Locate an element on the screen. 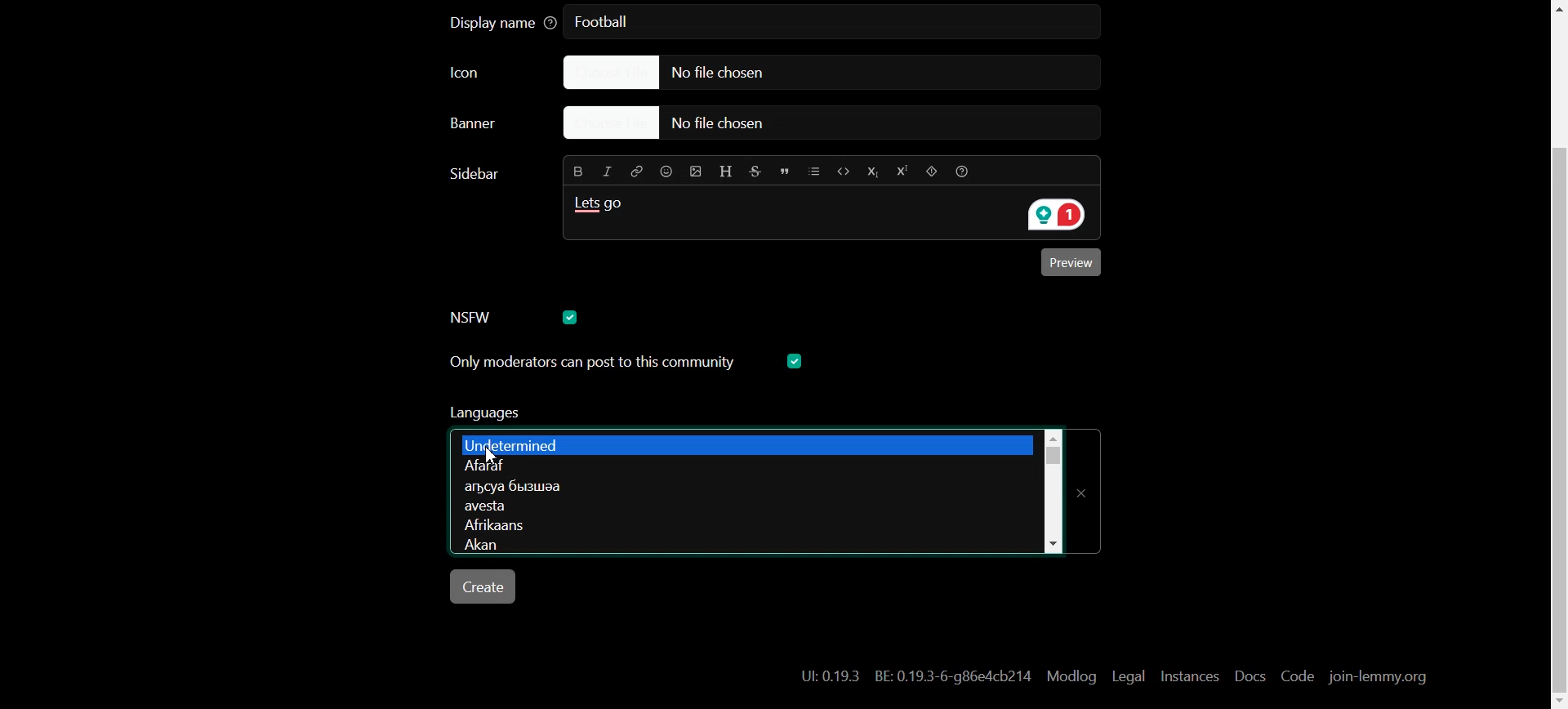  Choose file is located at coordinates (813, 72).